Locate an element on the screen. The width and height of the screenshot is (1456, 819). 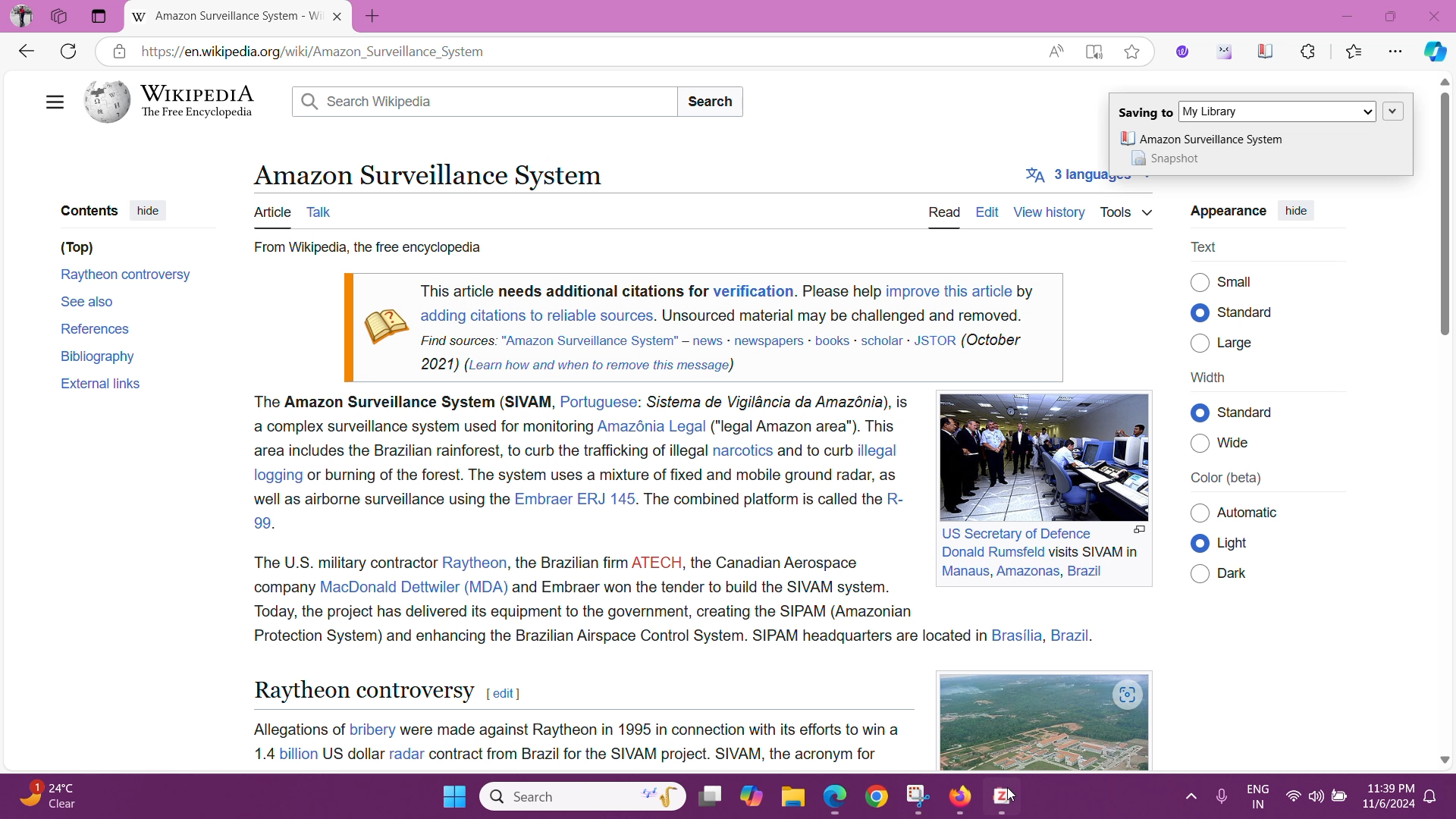
The Amazon Surveillance System (SIVAM, is located at coordinates (401, 403).